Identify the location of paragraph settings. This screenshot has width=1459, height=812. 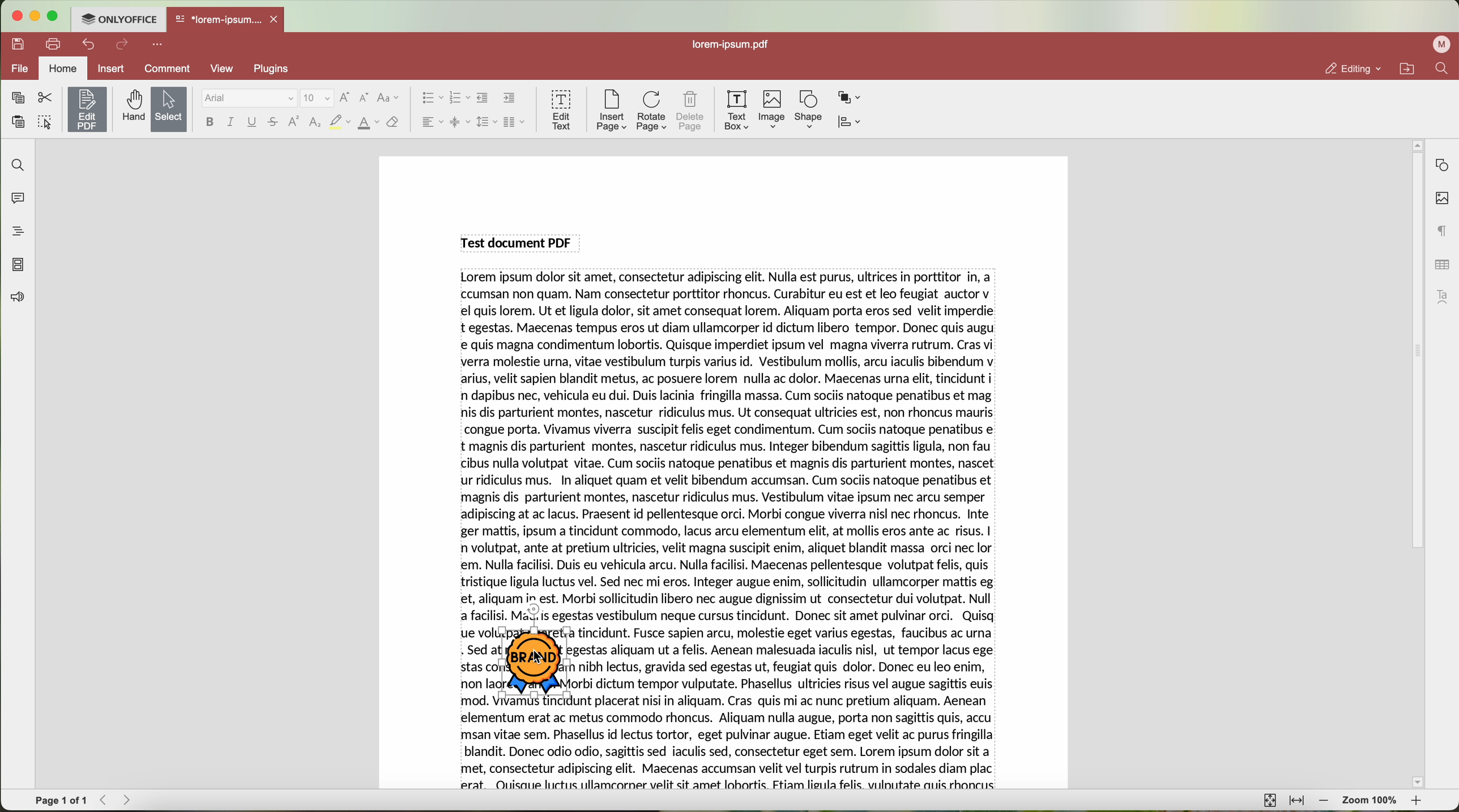
(1443, 230).